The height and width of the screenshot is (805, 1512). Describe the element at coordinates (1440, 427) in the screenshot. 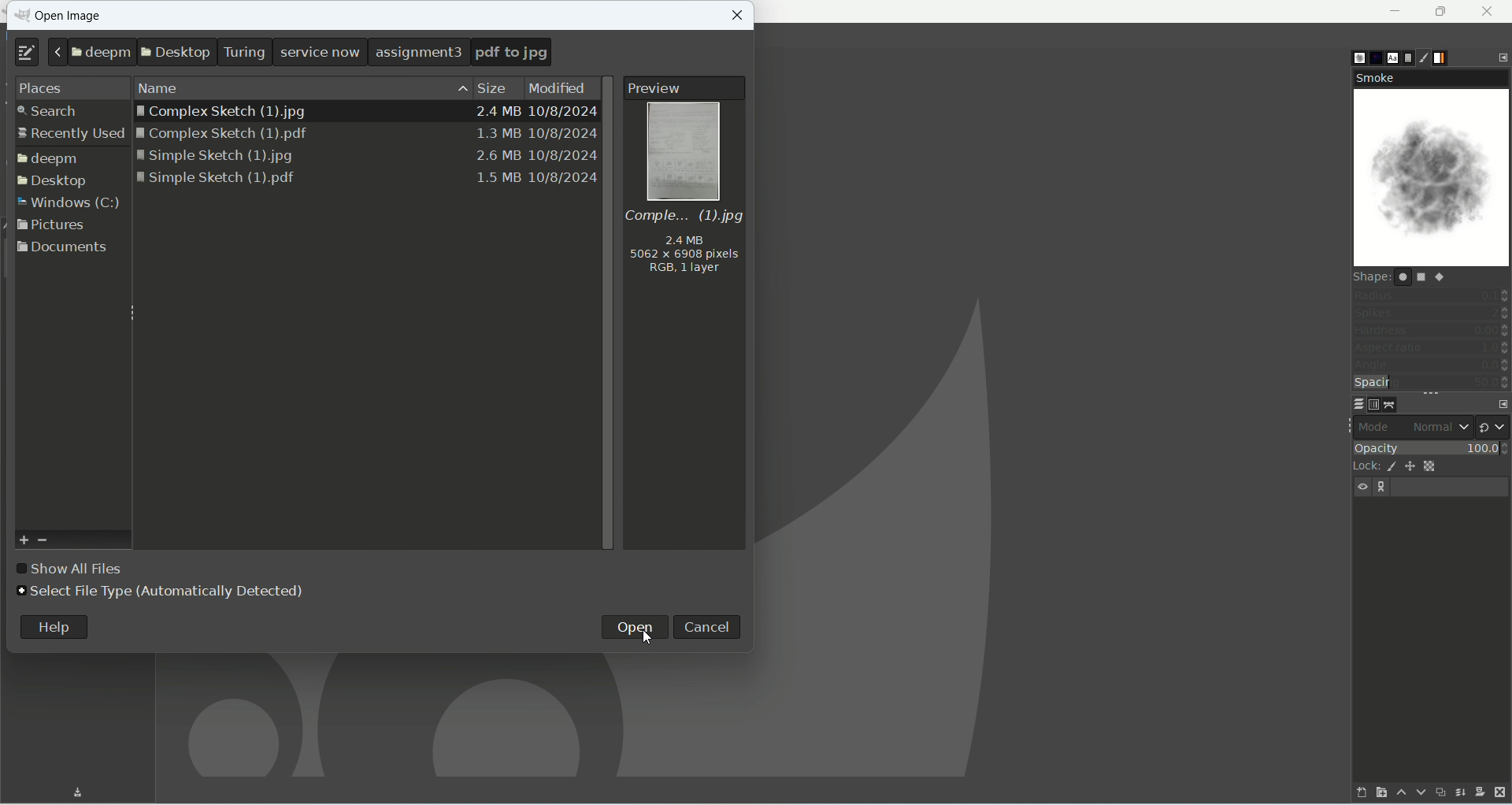

I see `normal` at that location.